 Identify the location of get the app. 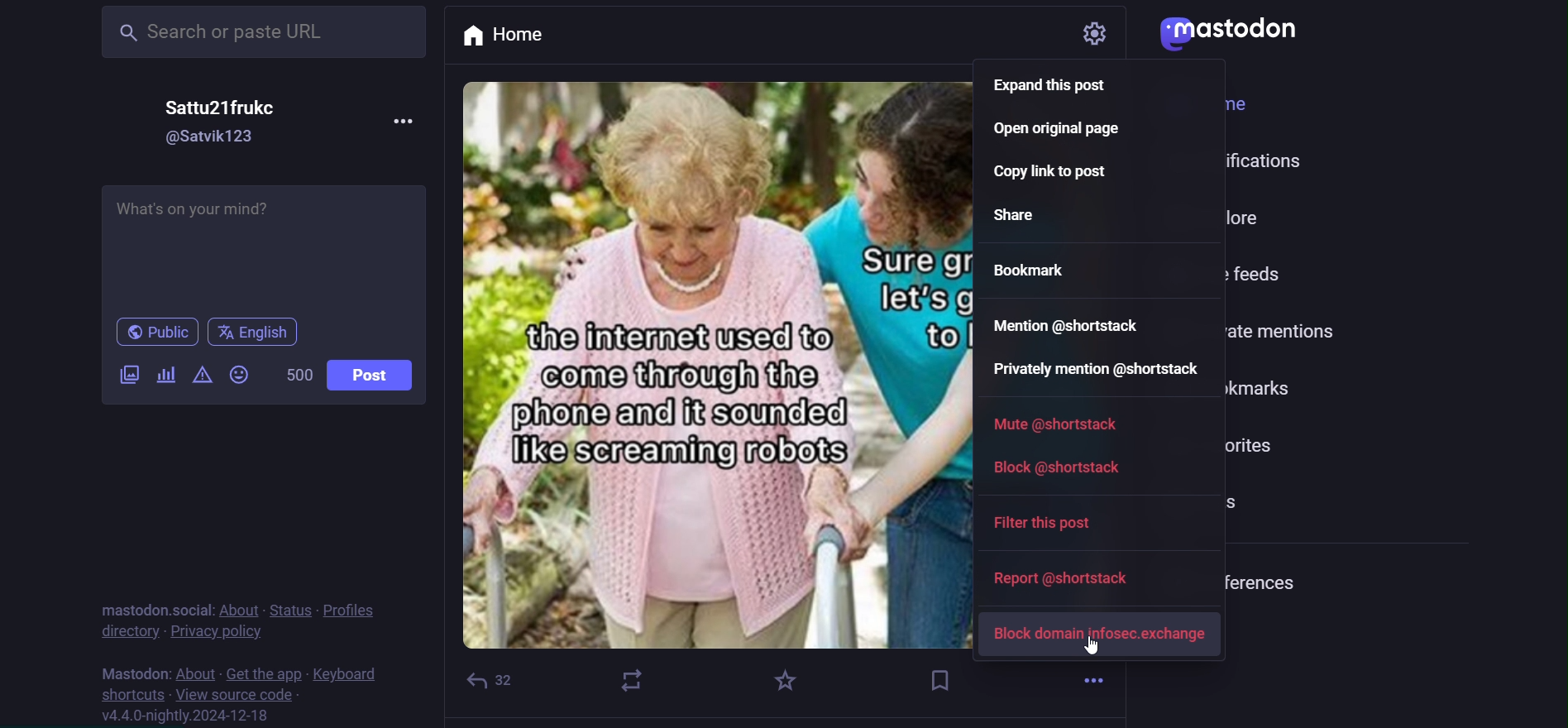
(265, 673).